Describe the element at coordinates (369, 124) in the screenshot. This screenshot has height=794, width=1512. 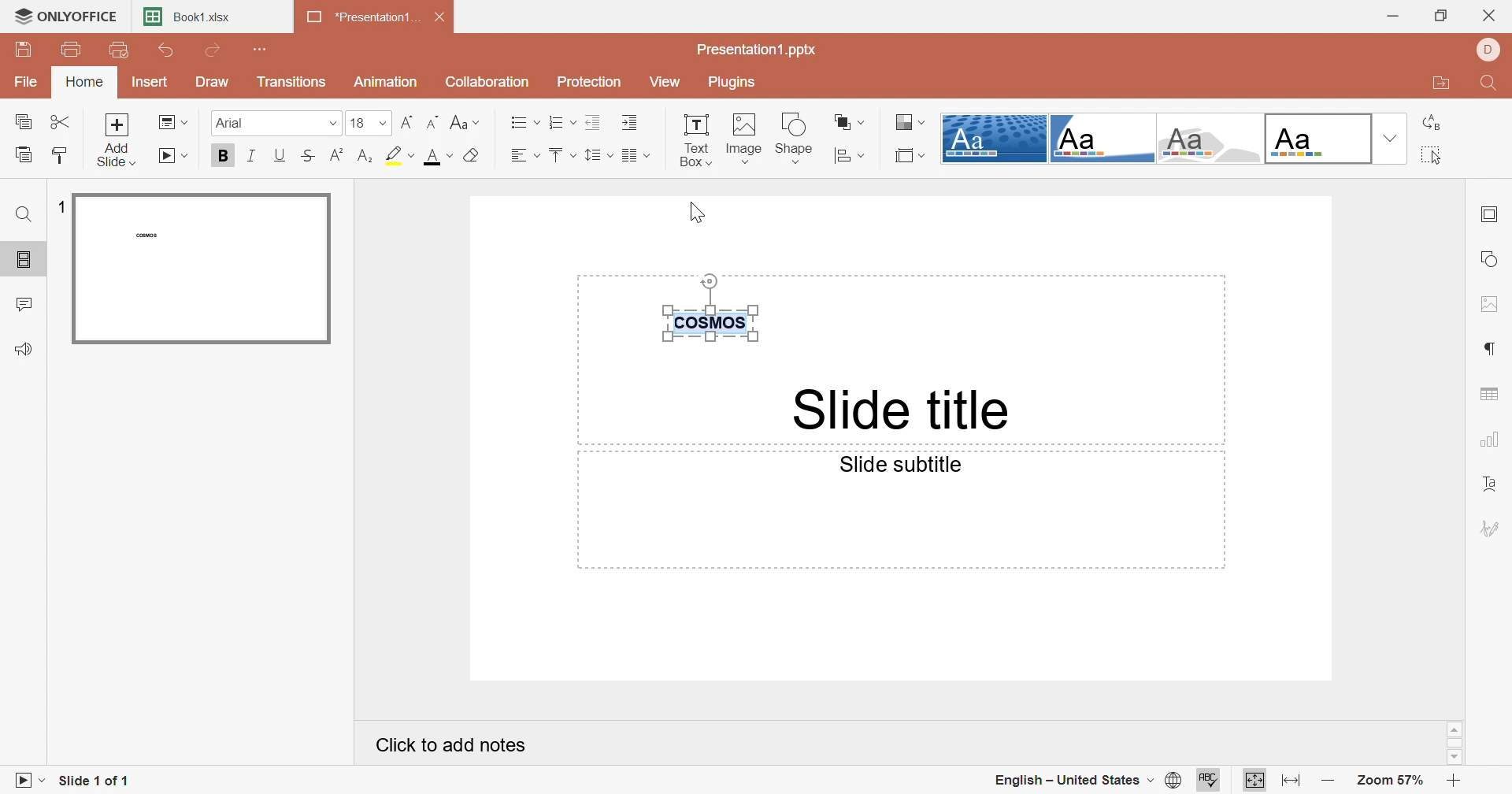
I see `18` at that location.